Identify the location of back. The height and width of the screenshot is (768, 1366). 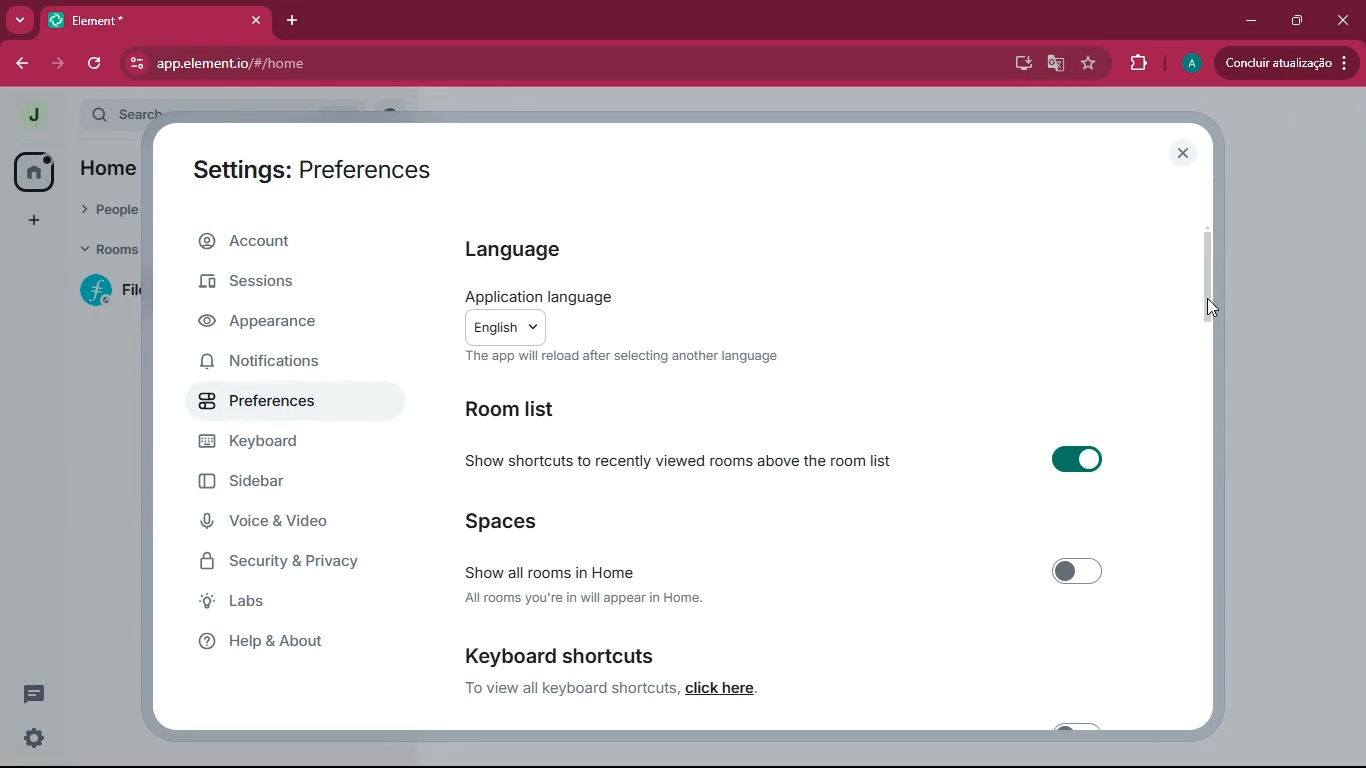
(23, 63).